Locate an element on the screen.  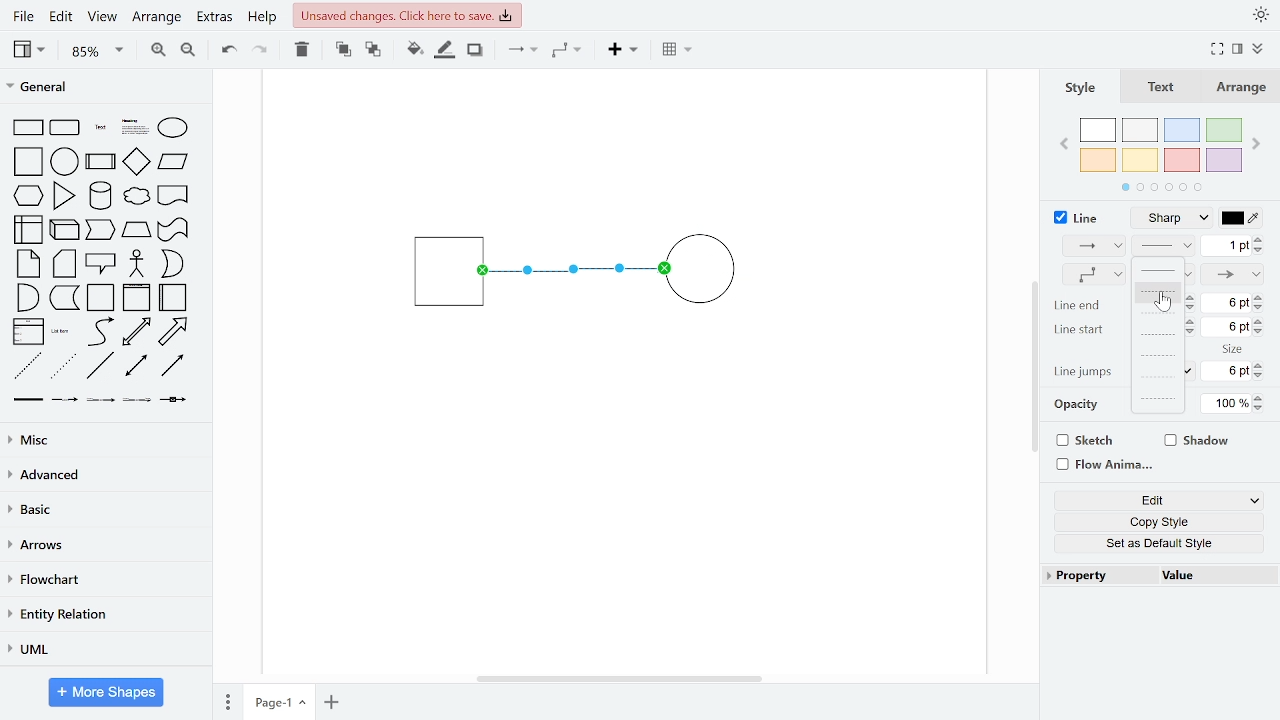
pages is located at coordinates (226, 699).